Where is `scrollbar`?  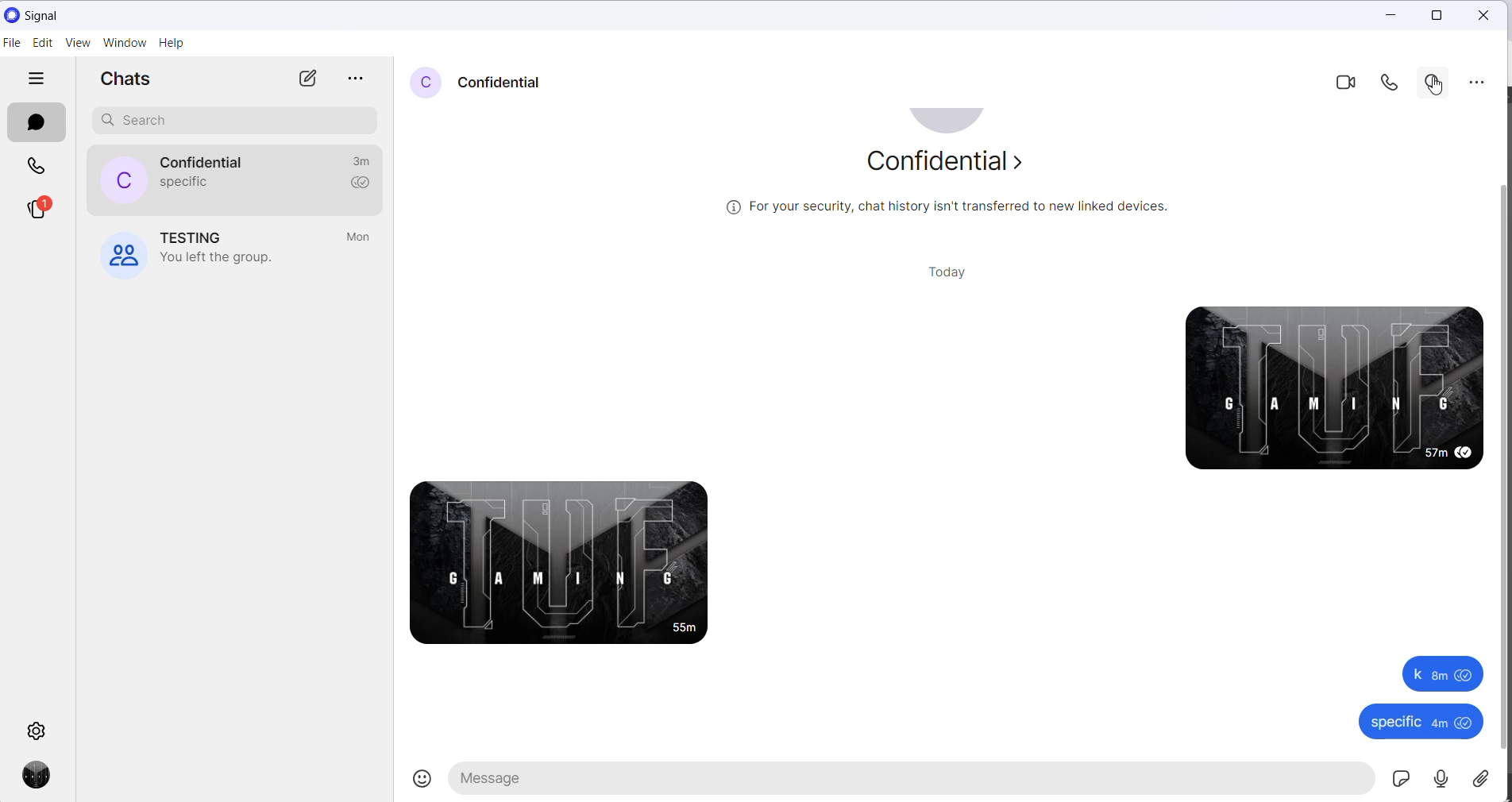 scrollbar is located at coordinates (1502, 460).